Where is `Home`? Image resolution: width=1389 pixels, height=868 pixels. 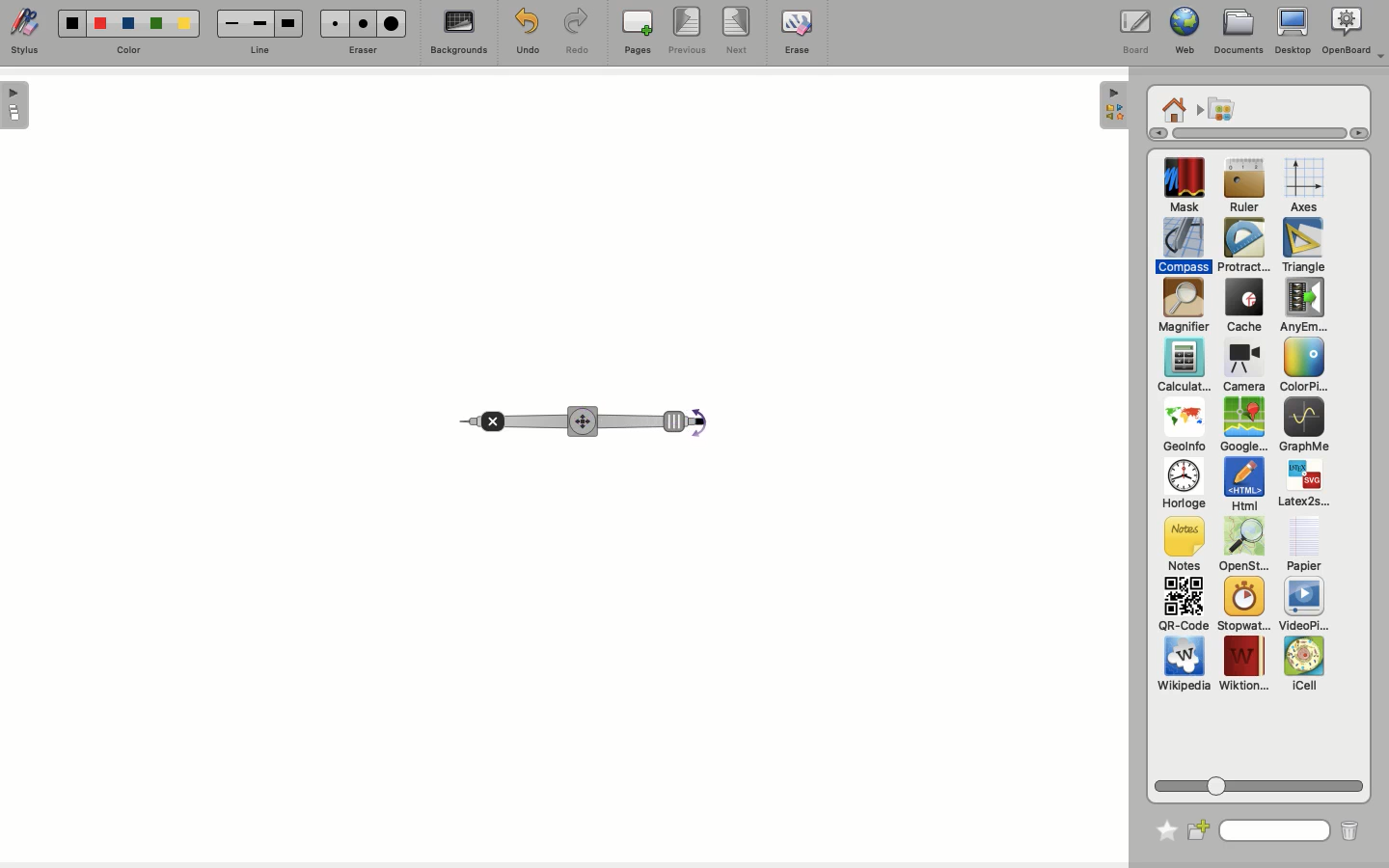 Home is located at coordinates (1174, 108).